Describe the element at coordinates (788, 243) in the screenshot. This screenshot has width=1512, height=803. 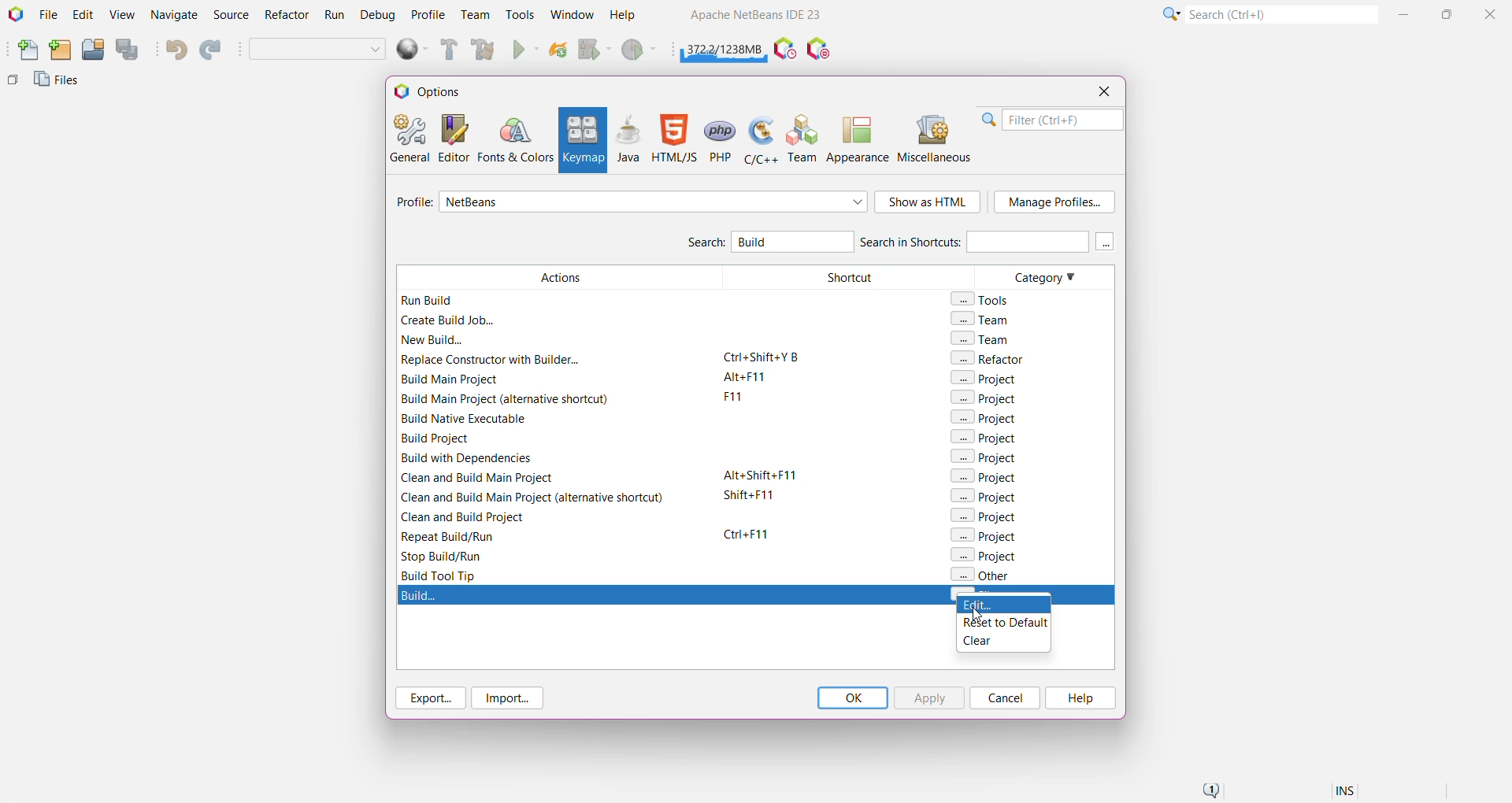
I see `Type 'Build' to search for Build Action` at that location.